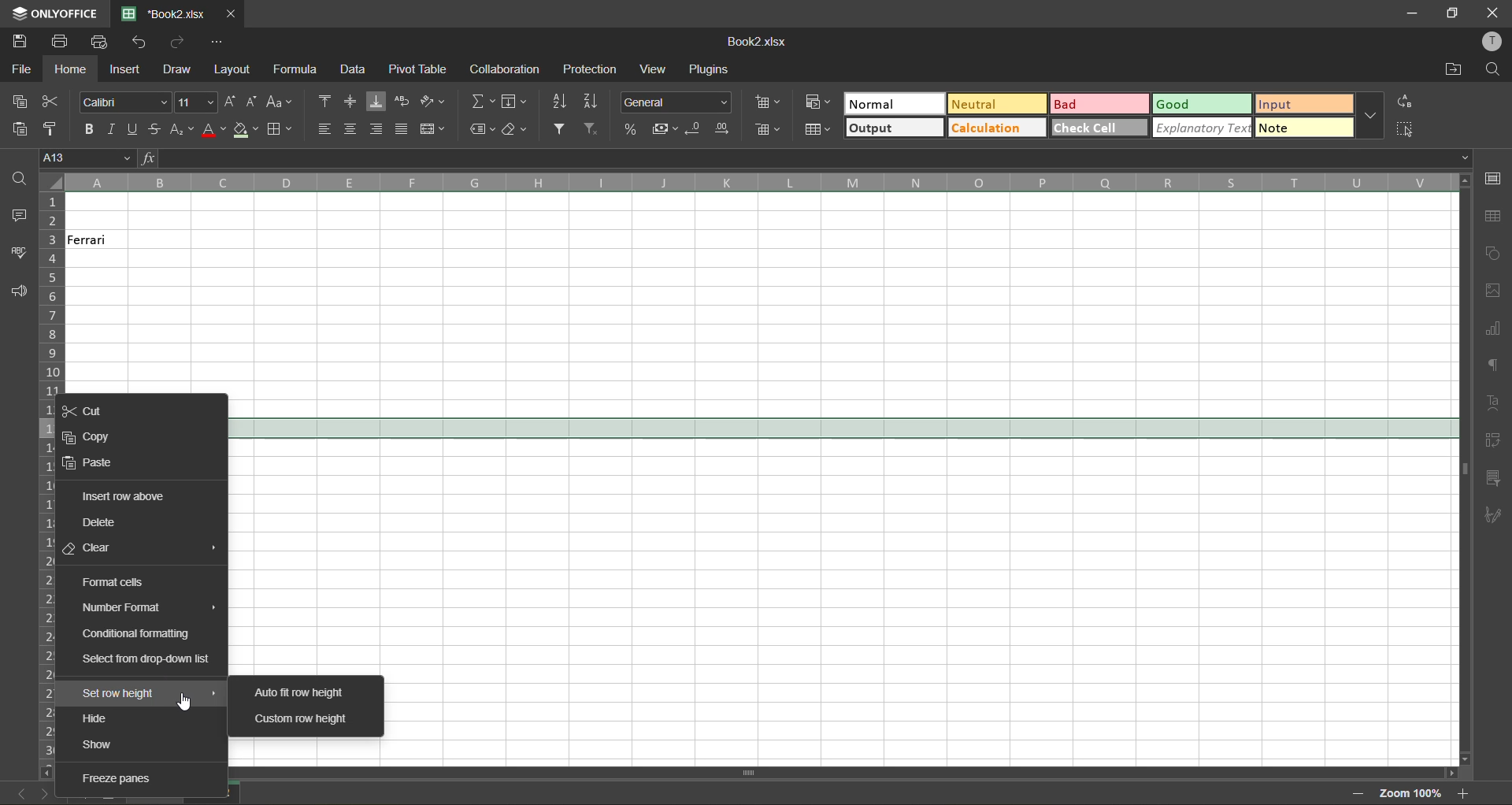  I want to click on save, so click(18, 42).